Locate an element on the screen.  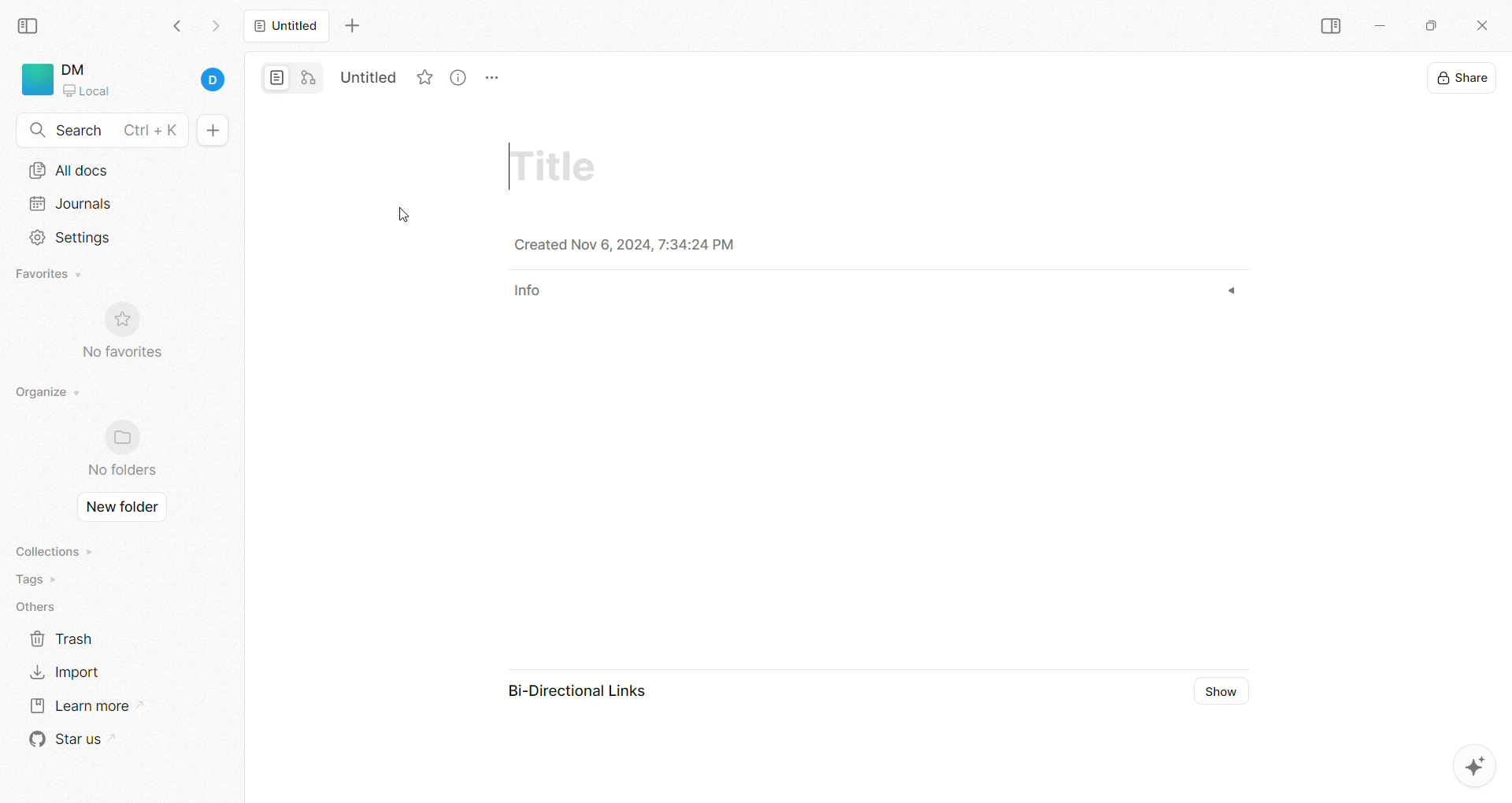
COLLAPSE SIDEBAR is located at coordinates (1332, 27).